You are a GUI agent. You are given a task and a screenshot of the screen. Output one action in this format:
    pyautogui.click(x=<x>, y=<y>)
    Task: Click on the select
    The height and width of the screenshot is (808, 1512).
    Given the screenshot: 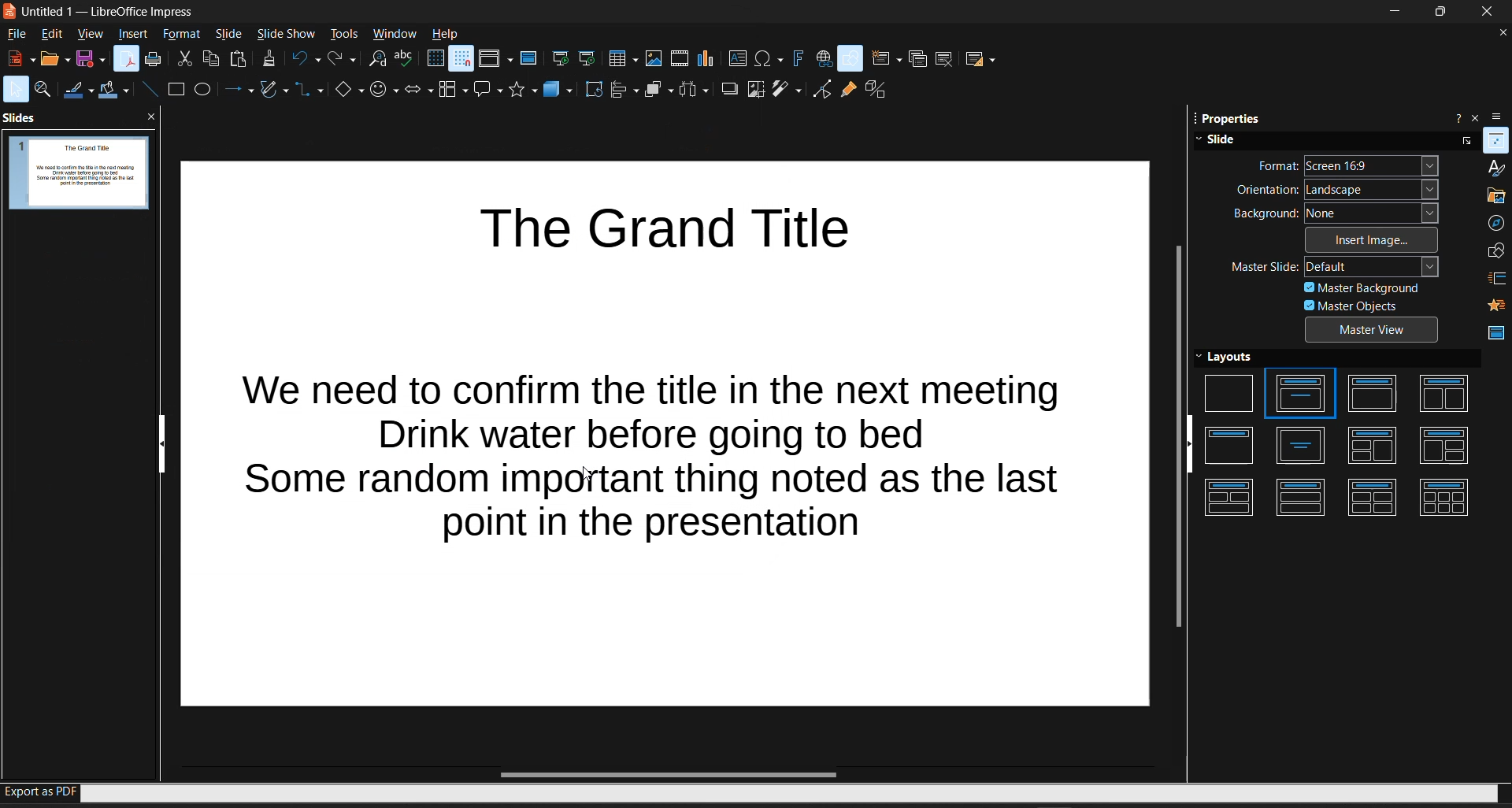 What is the action you would take?
    pyautogui.click(x=18, y=89)
    